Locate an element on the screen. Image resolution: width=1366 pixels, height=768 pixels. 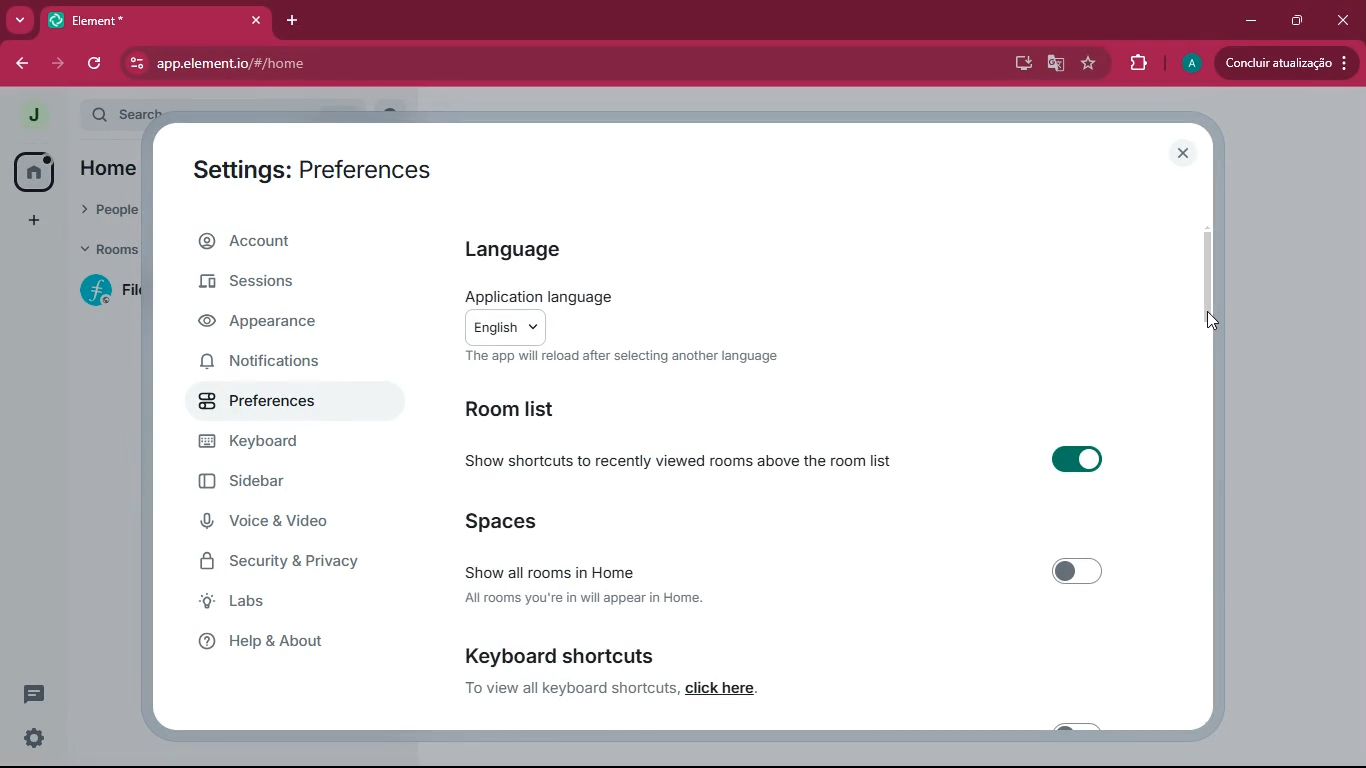
profile is located at coordinates (1193, 63).